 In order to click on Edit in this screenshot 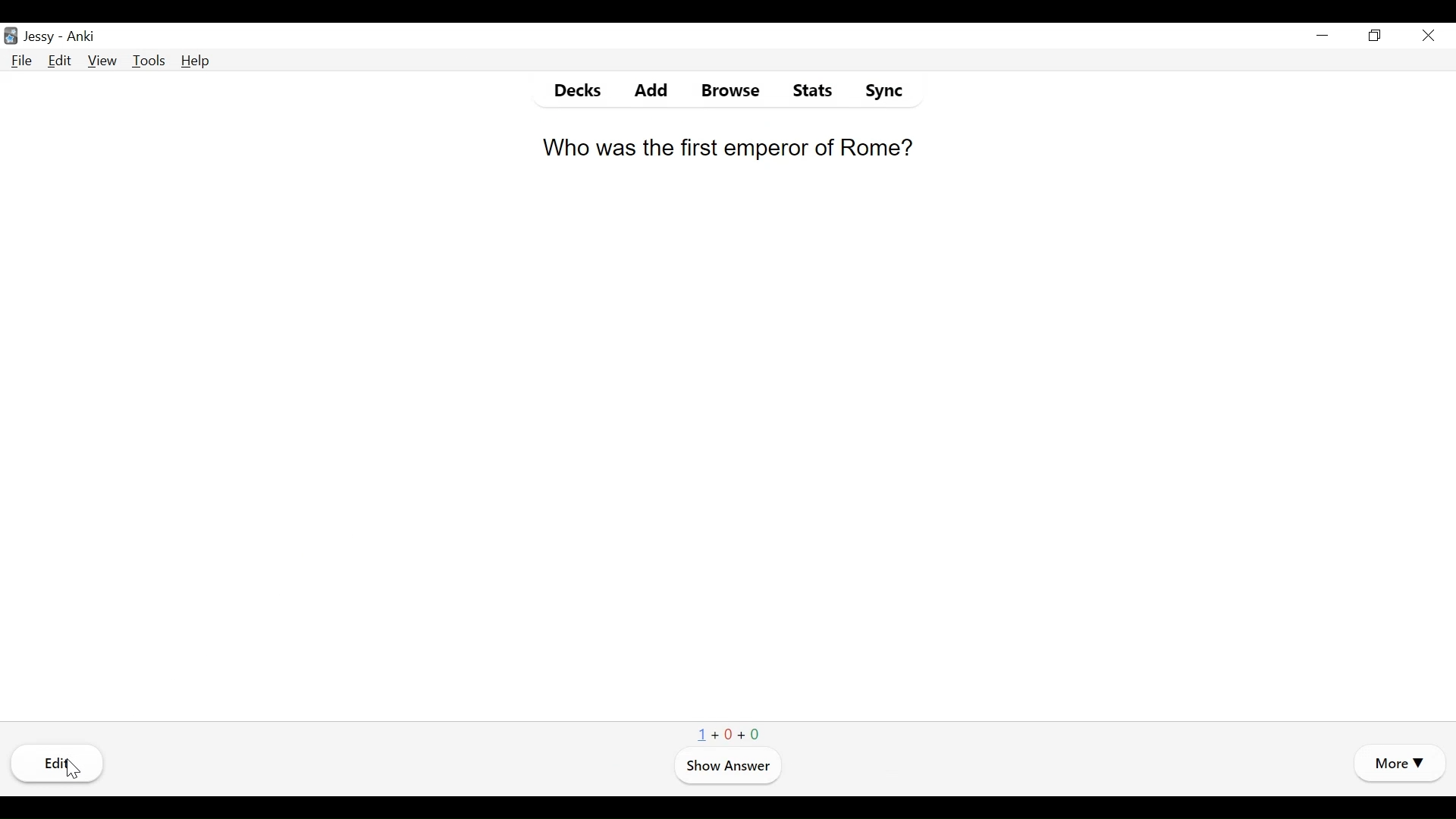, I will do `click(60, 61)`.